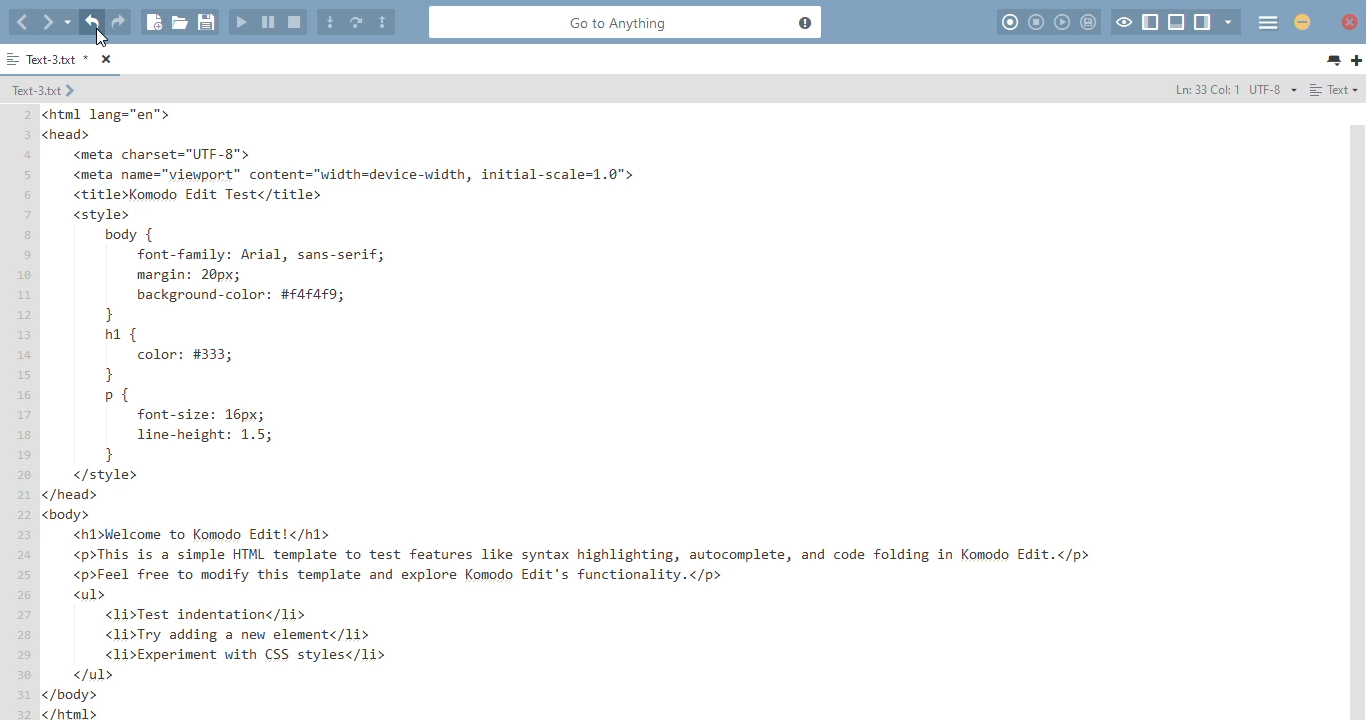 Image resolution: width=1366 pixels, height=720 pixels. What do you see at coordinates (1036, 22) in the screenshot?
I see `stop recording macro` at bounding box center [1036, 22].